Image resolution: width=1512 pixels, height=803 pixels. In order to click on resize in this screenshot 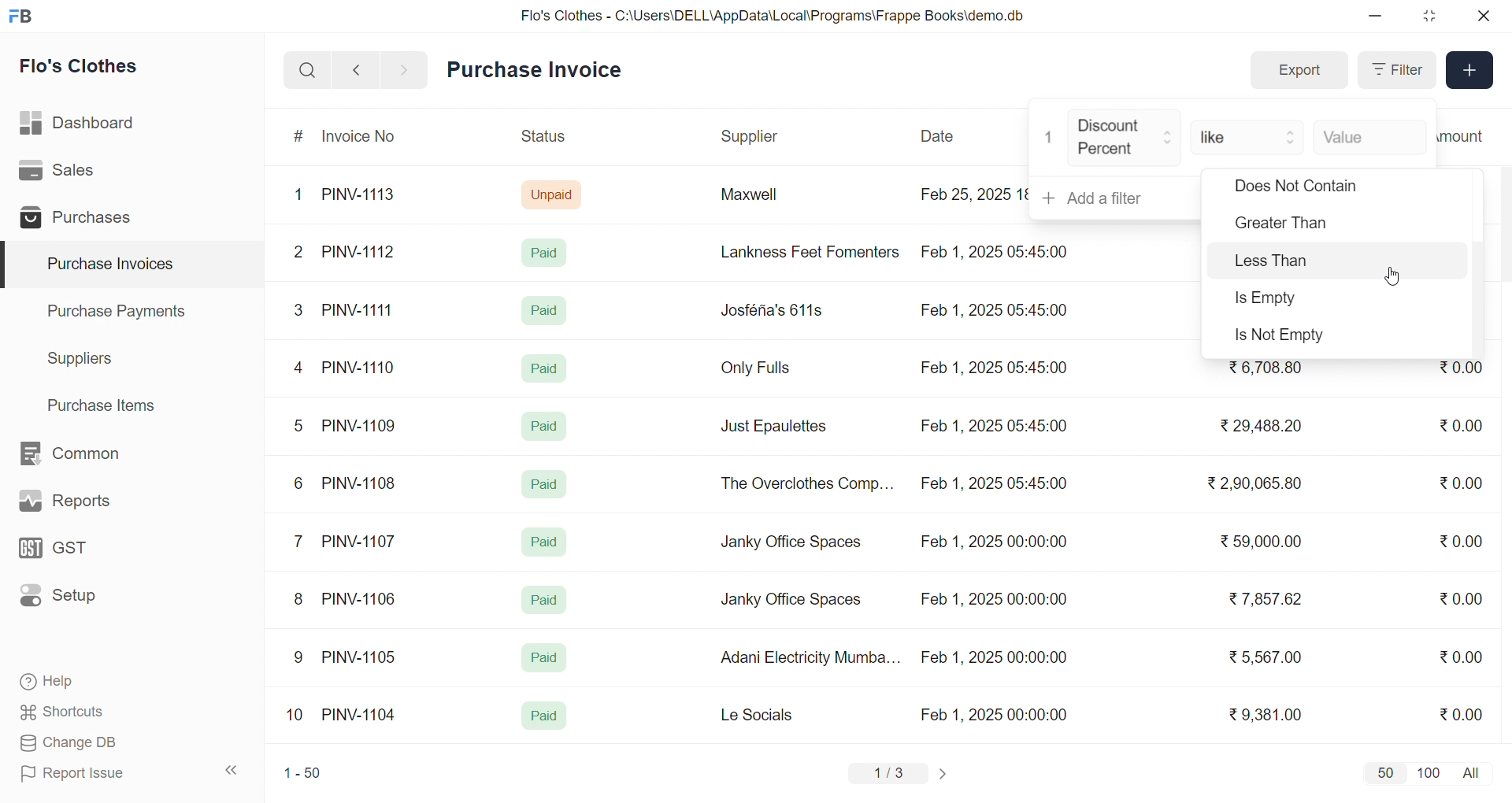, I will do `click(1429, 16)`.